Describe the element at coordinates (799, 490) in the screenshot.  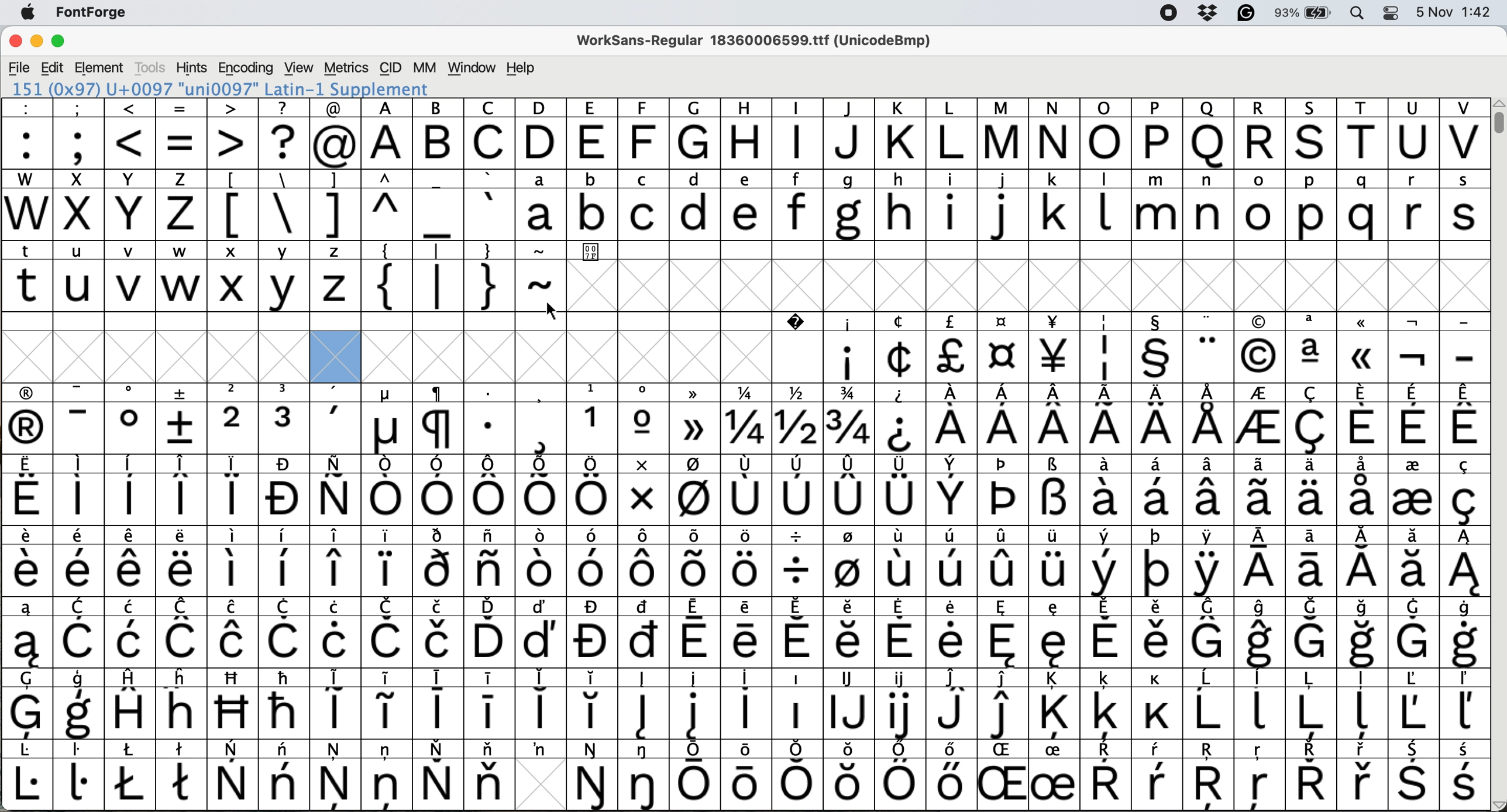
I see `symbol` at that location.